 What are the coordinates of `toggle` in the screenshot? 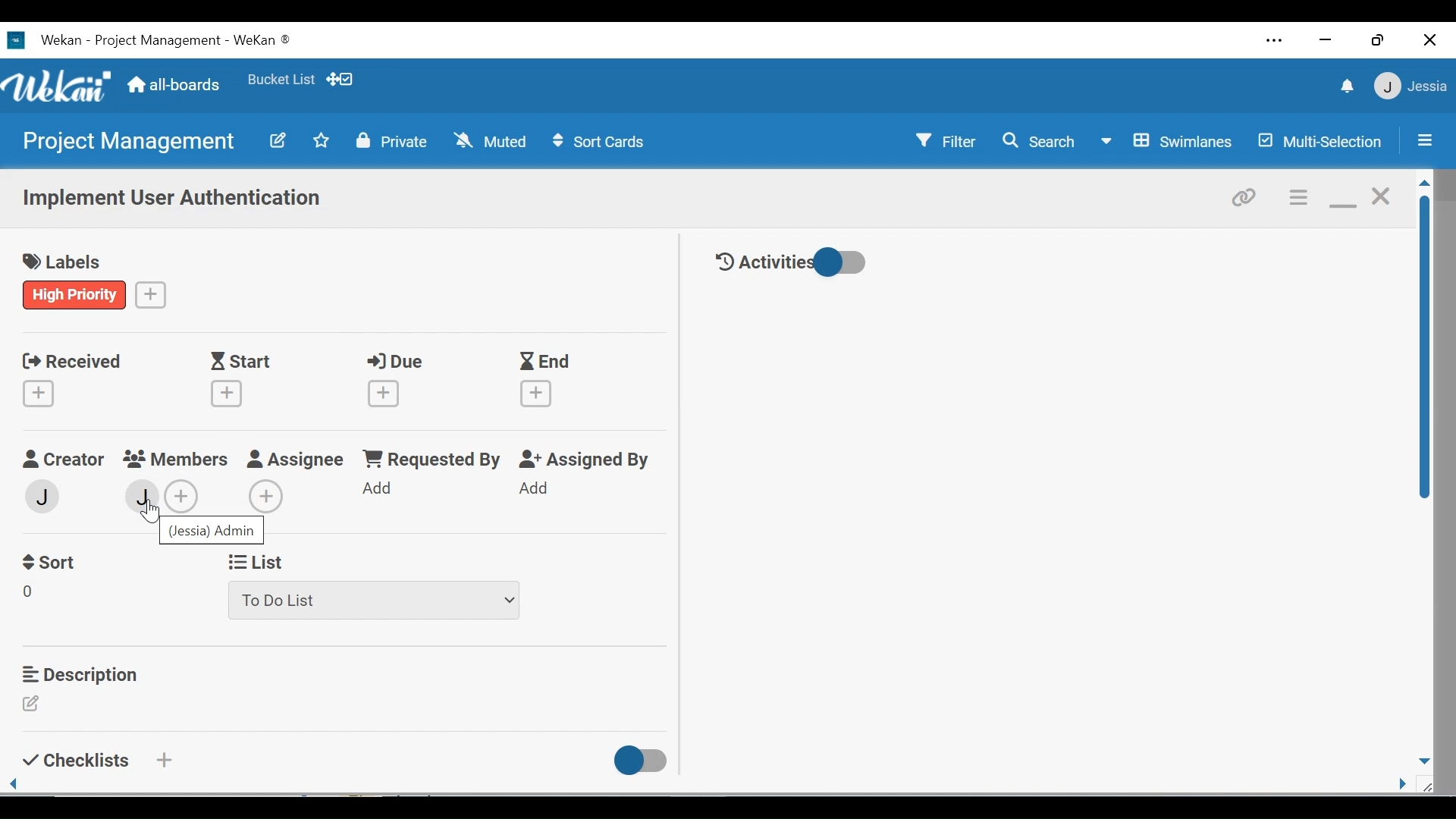 It's located at (642, 761).